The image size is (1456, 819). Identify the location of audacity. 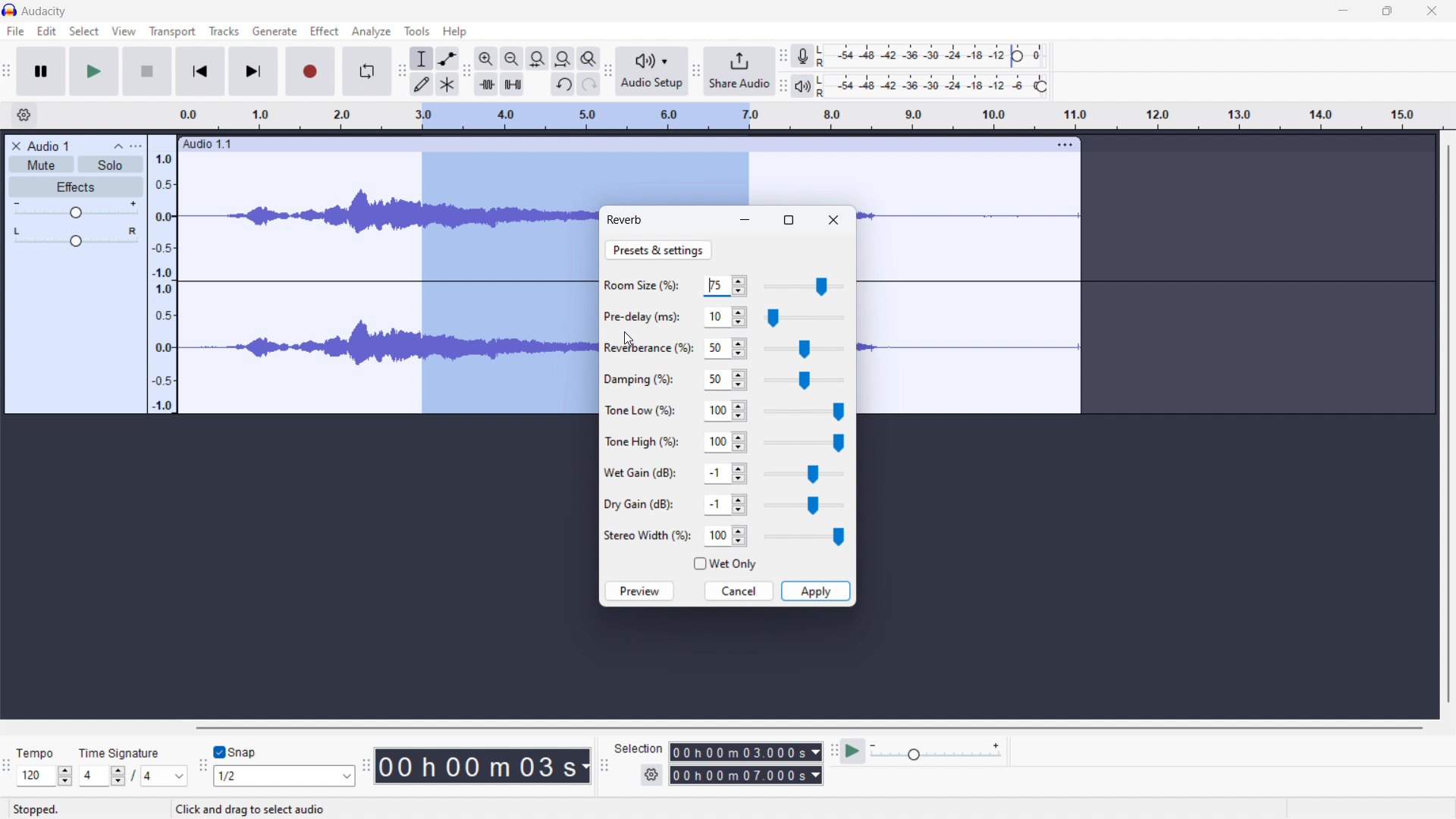
(45, 12).